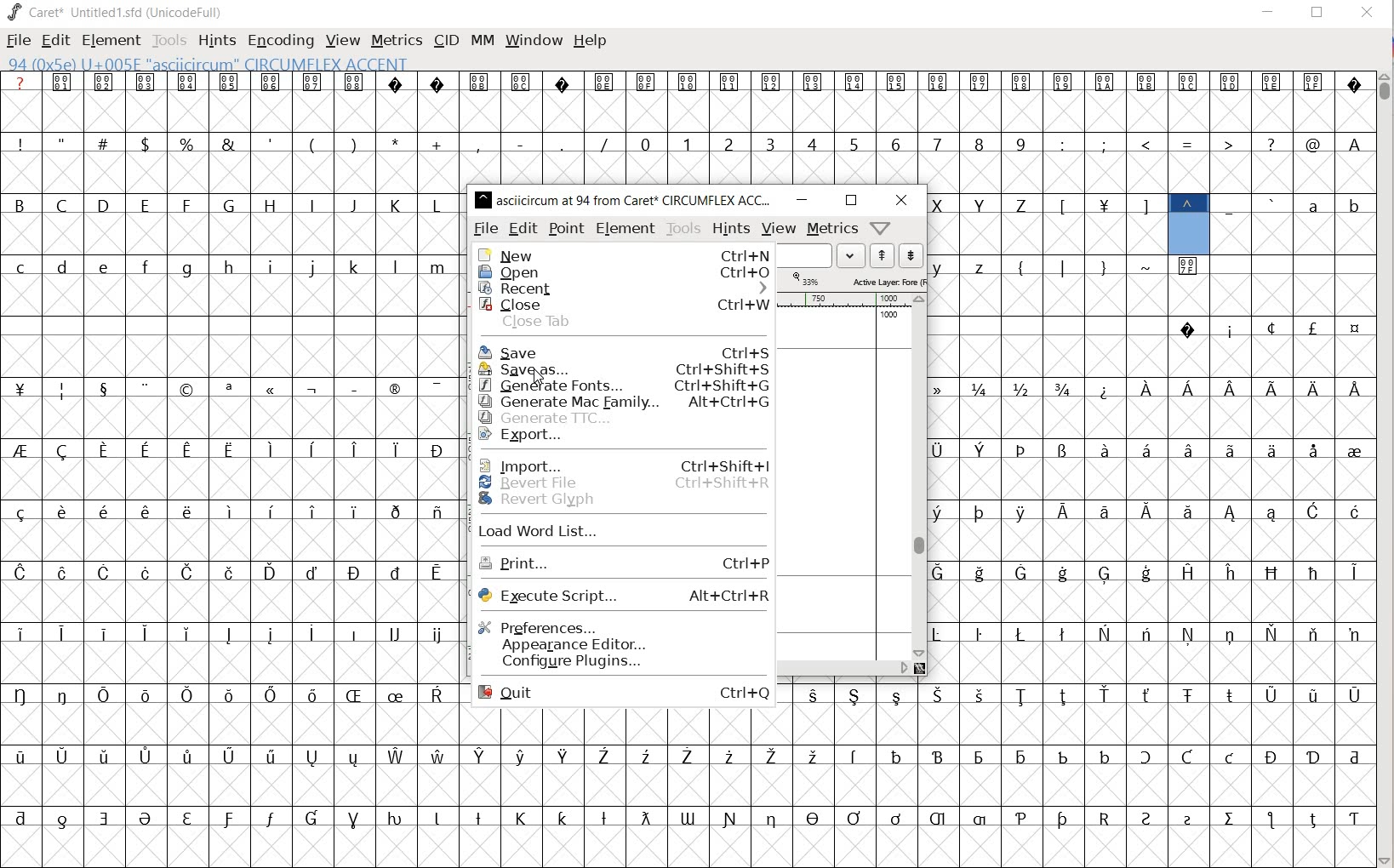  What do you see at coordinates (485, 230) in the screenshot?
I see `file` at bounding box center [485, 230].